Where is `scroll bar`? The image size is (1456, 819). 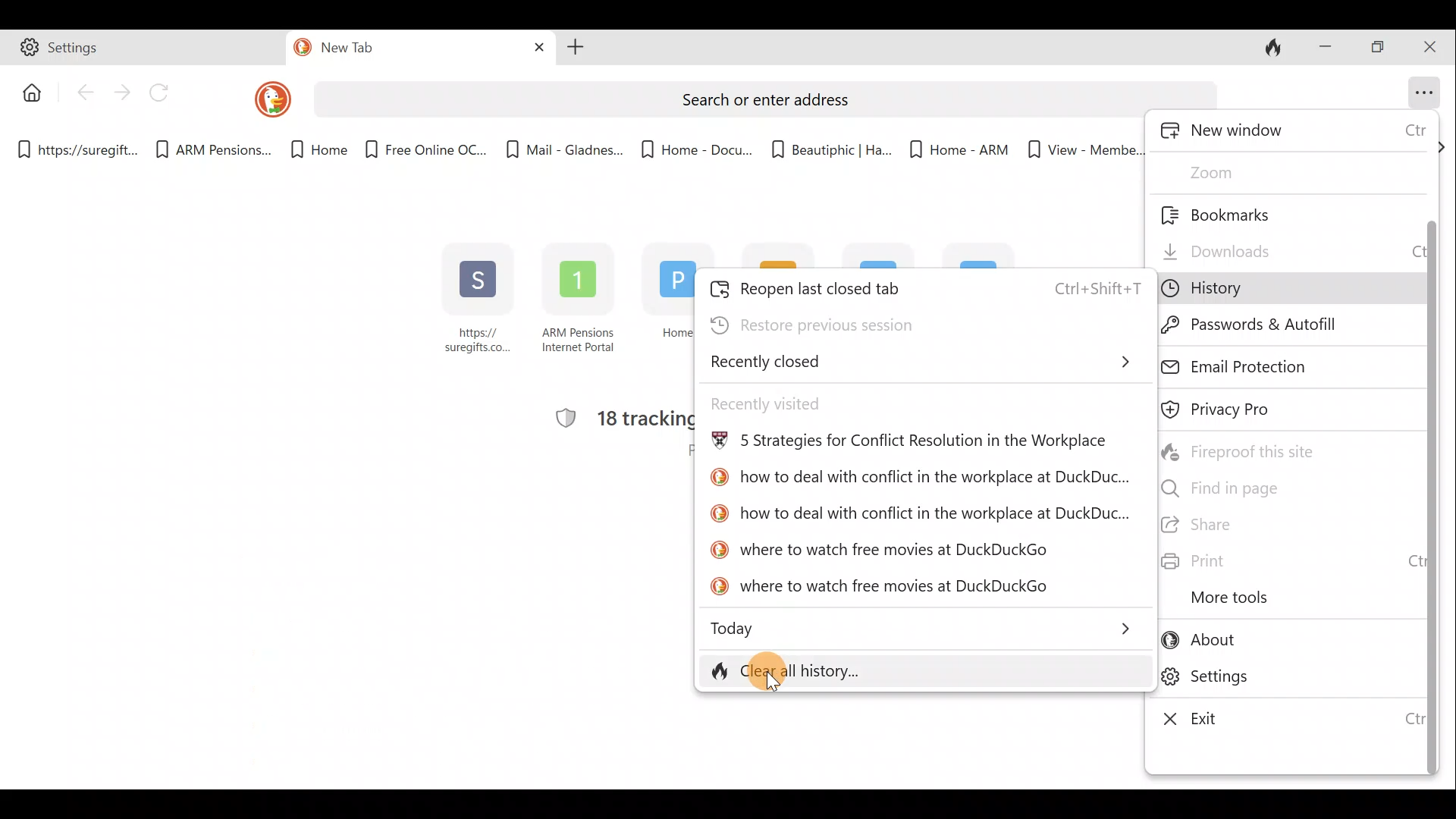
scroll bar is located at coordinates (1430, 467).